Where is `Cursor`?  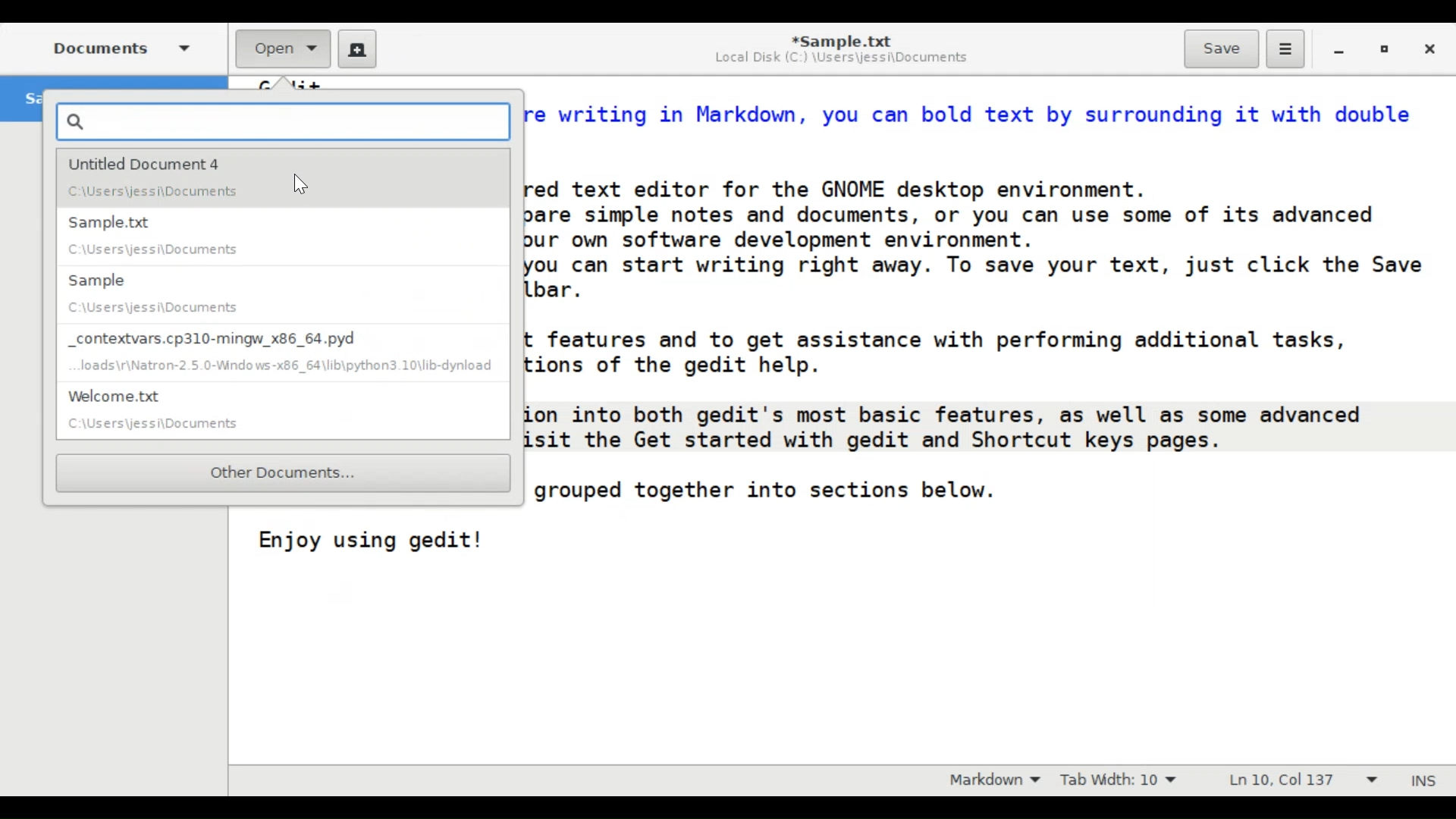 Cursor is located at coordinates (302, 184).